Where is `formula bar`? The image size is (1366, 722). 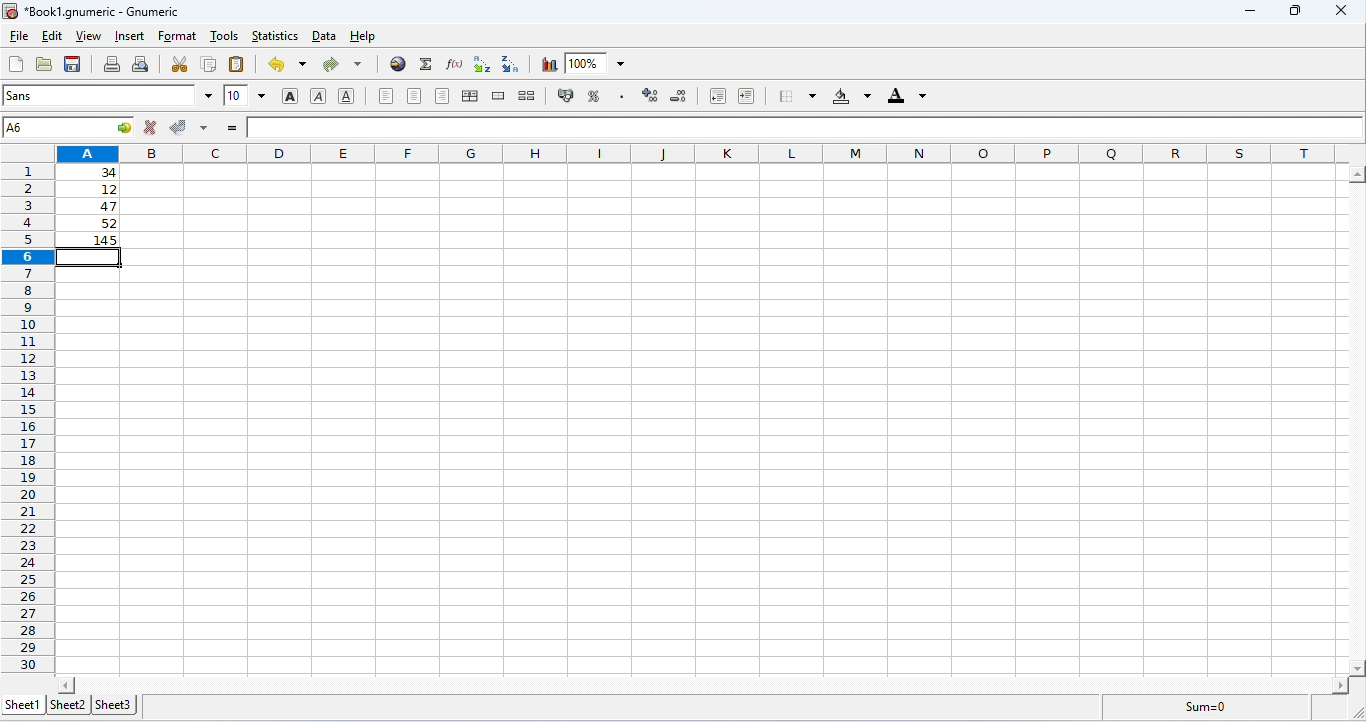
formula bar is located at coordinates (807, 126).